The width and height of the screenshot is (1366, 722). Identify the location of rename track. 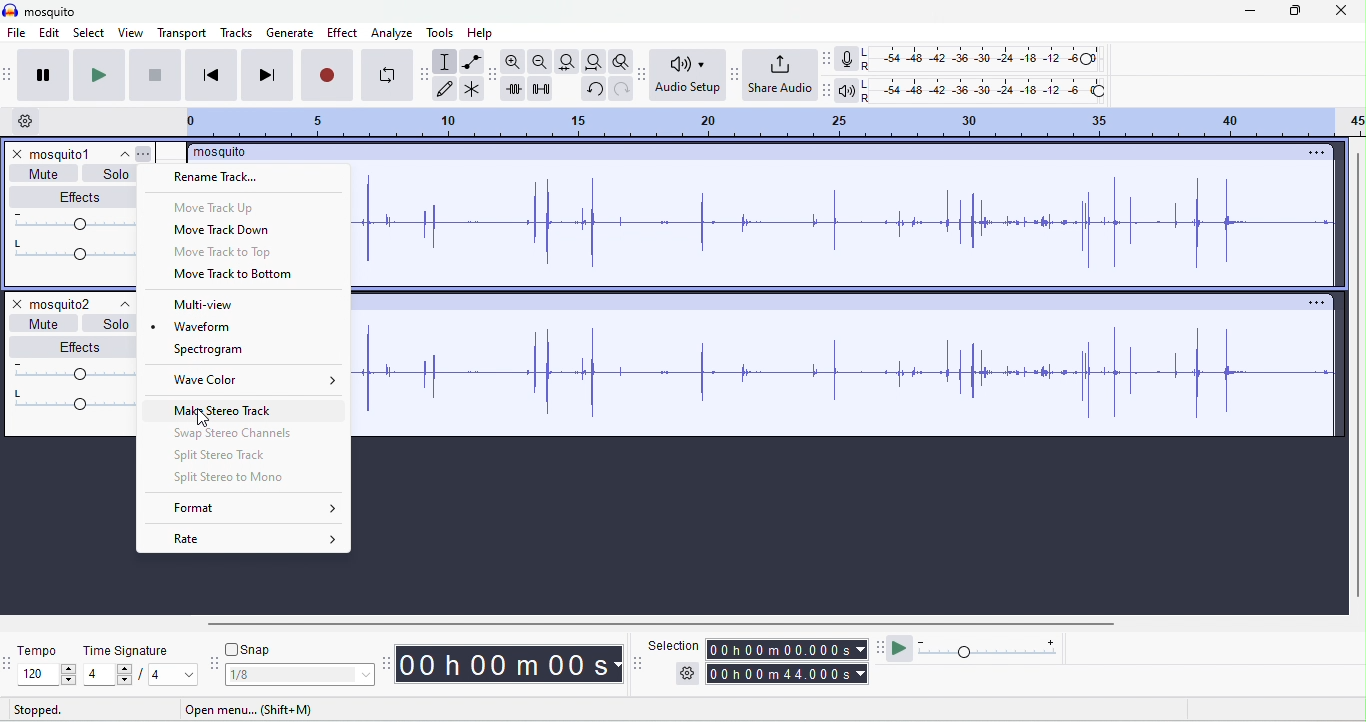
(215, 176).